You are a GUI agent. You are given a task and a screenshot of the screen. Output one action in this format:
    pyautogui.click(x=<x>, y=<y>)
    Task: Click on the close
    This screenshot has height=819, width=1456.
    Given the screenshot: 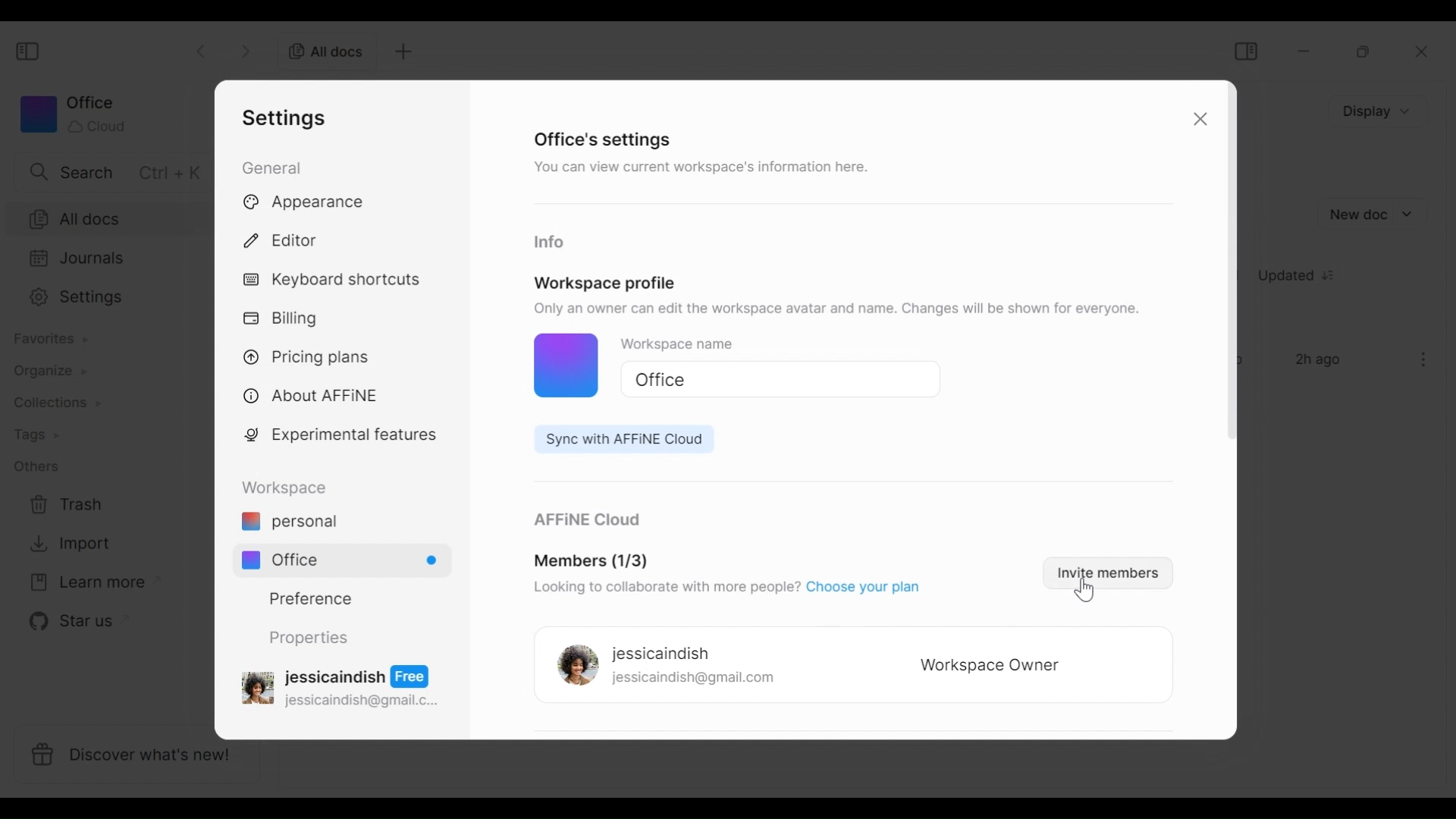 What is the action you would take?
    pyautogui.click(x=1426, y=52)
    